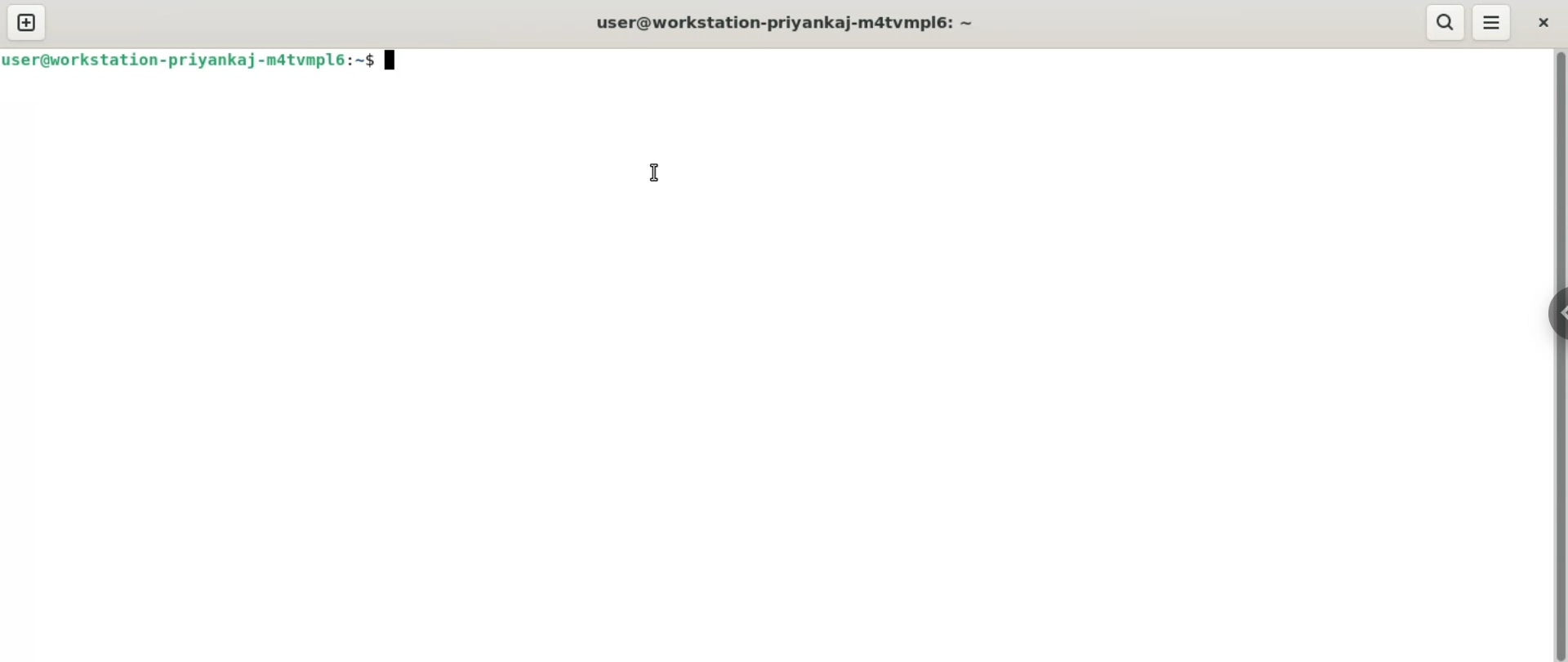  I want to click on new tab, so click(25, 25).